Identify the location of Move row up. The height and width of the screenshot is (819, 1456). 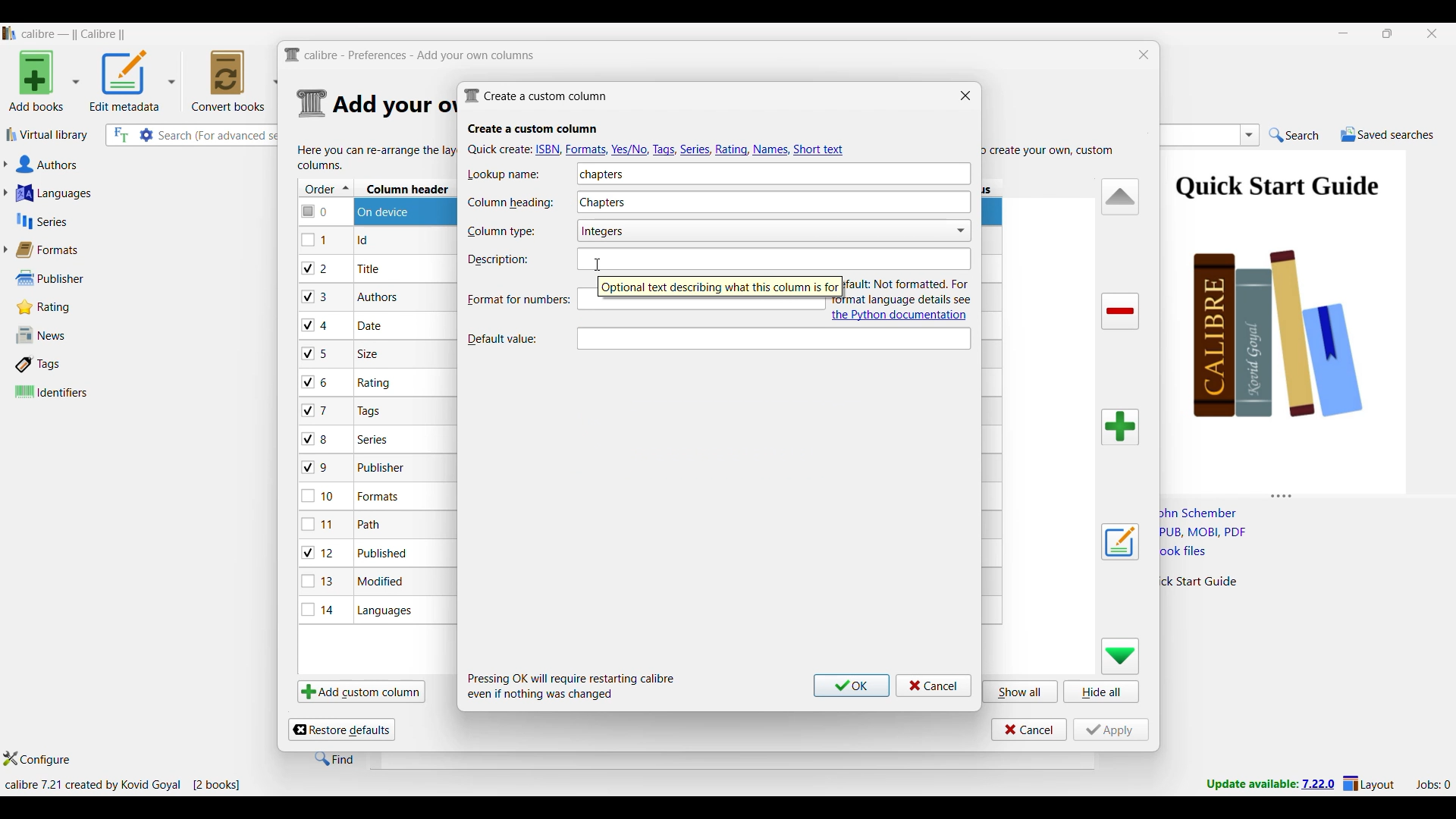
(1121, 196).